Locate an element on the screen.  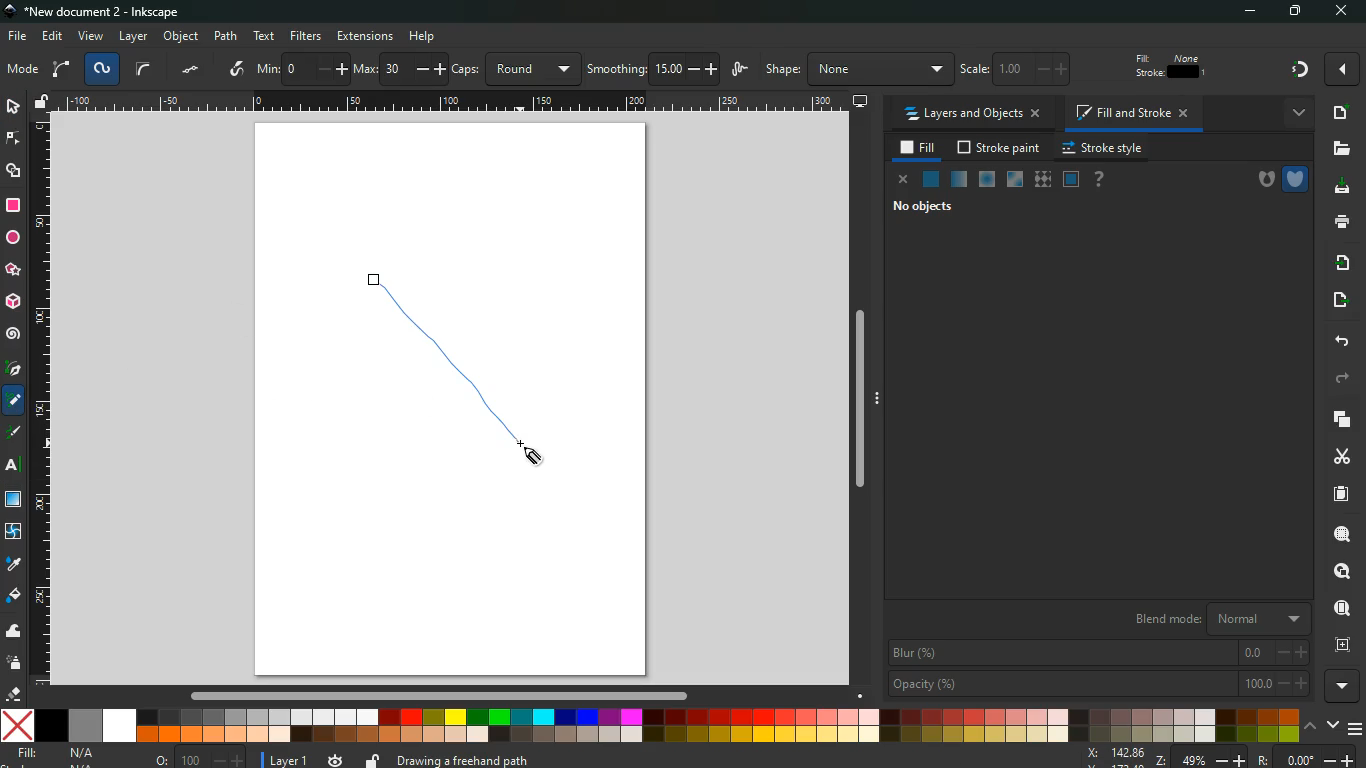
filters is located at coordinates (305, 36).